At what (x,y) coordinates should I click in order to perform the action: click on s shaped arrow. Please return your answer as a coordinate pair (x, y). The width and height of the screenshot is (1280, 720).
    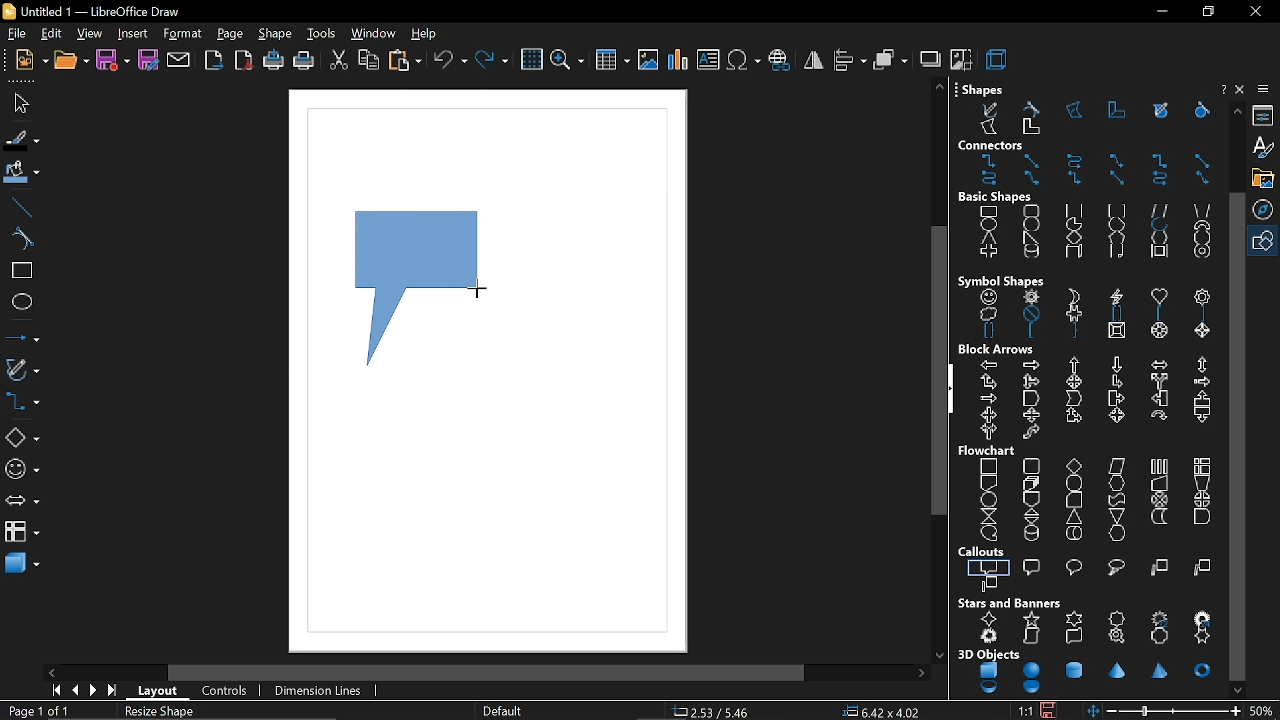
    Looking at the image, I should click on (1032, 434).